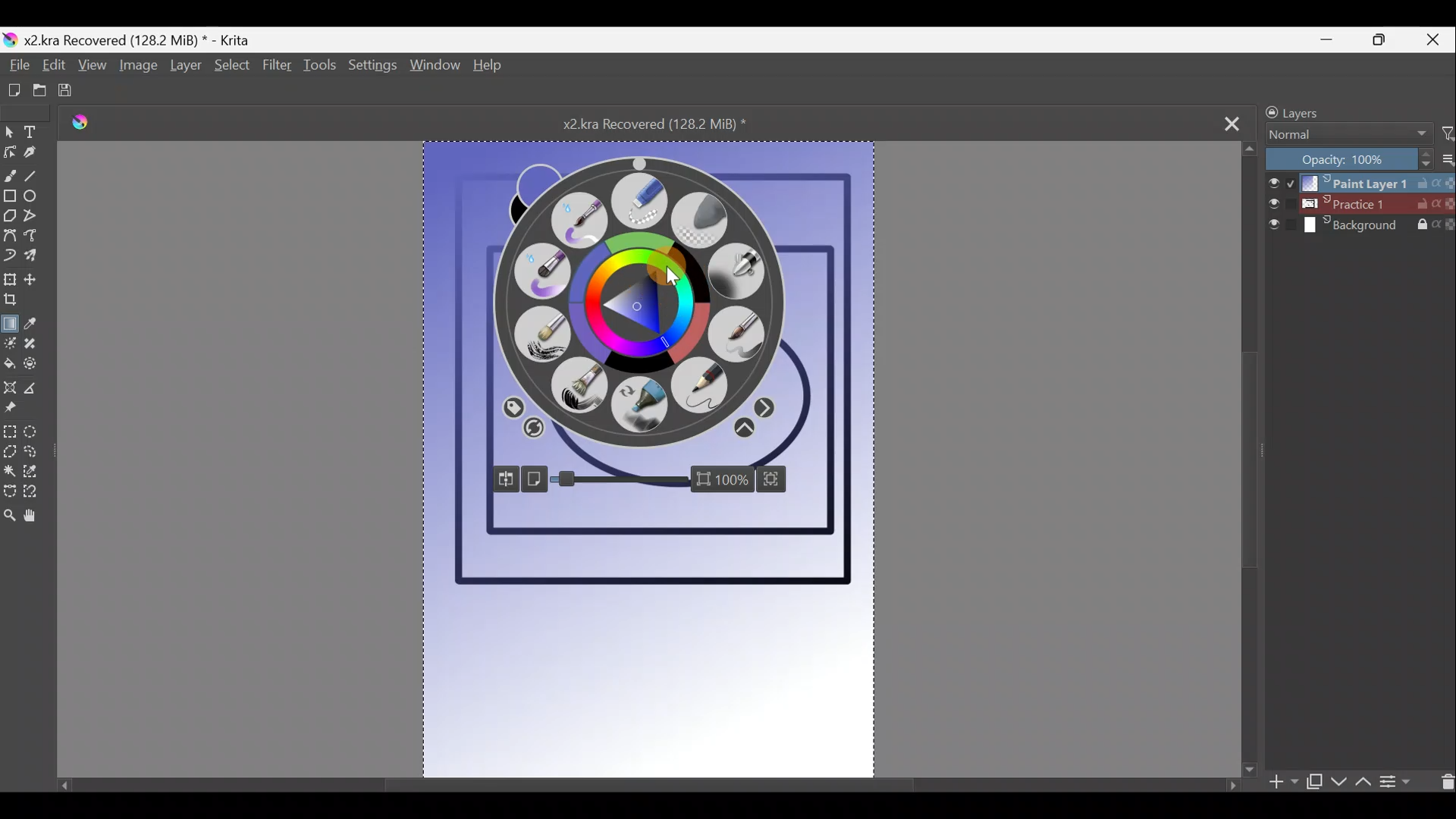 This screenshot has width=1456, height=819. I want to click on Maximise, so click(1386, 40).